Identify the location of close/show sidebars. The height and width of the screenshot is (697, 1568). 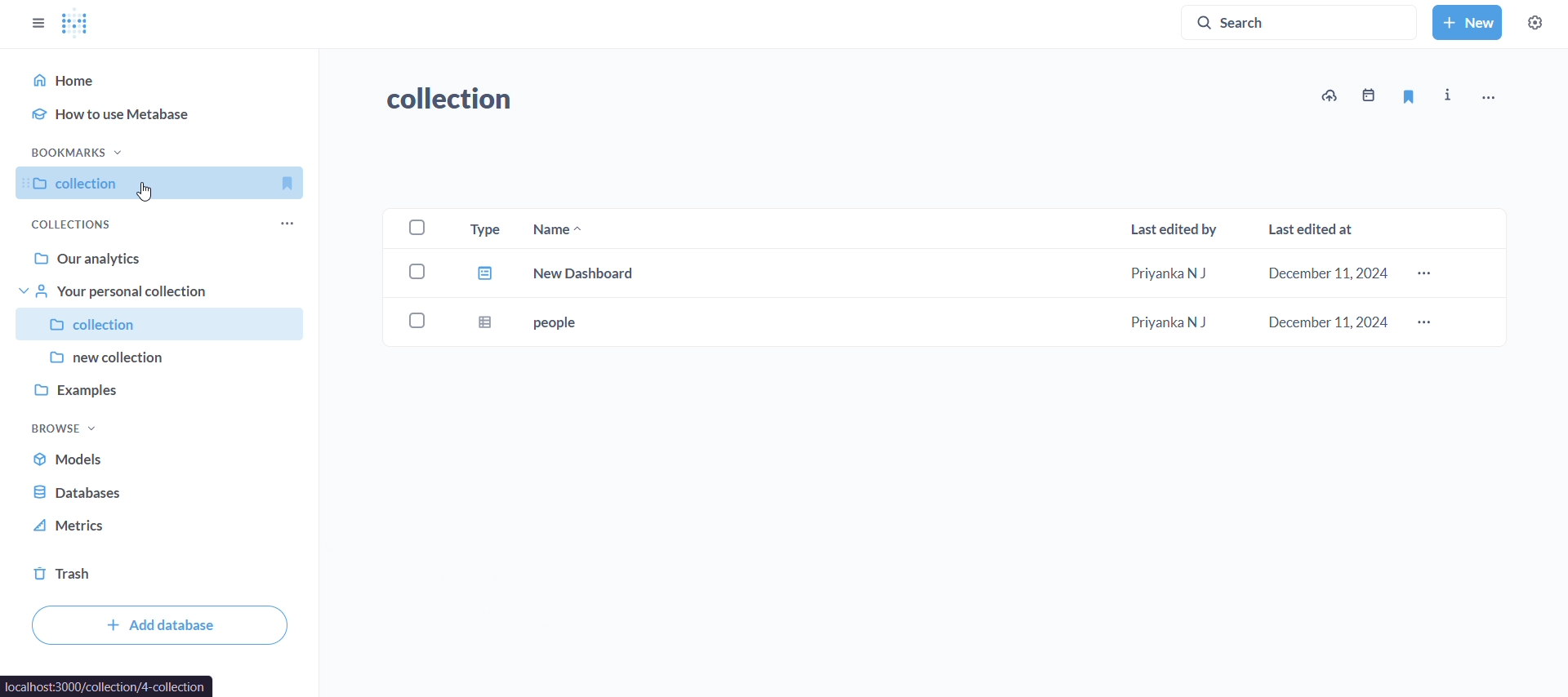
(34, 22).